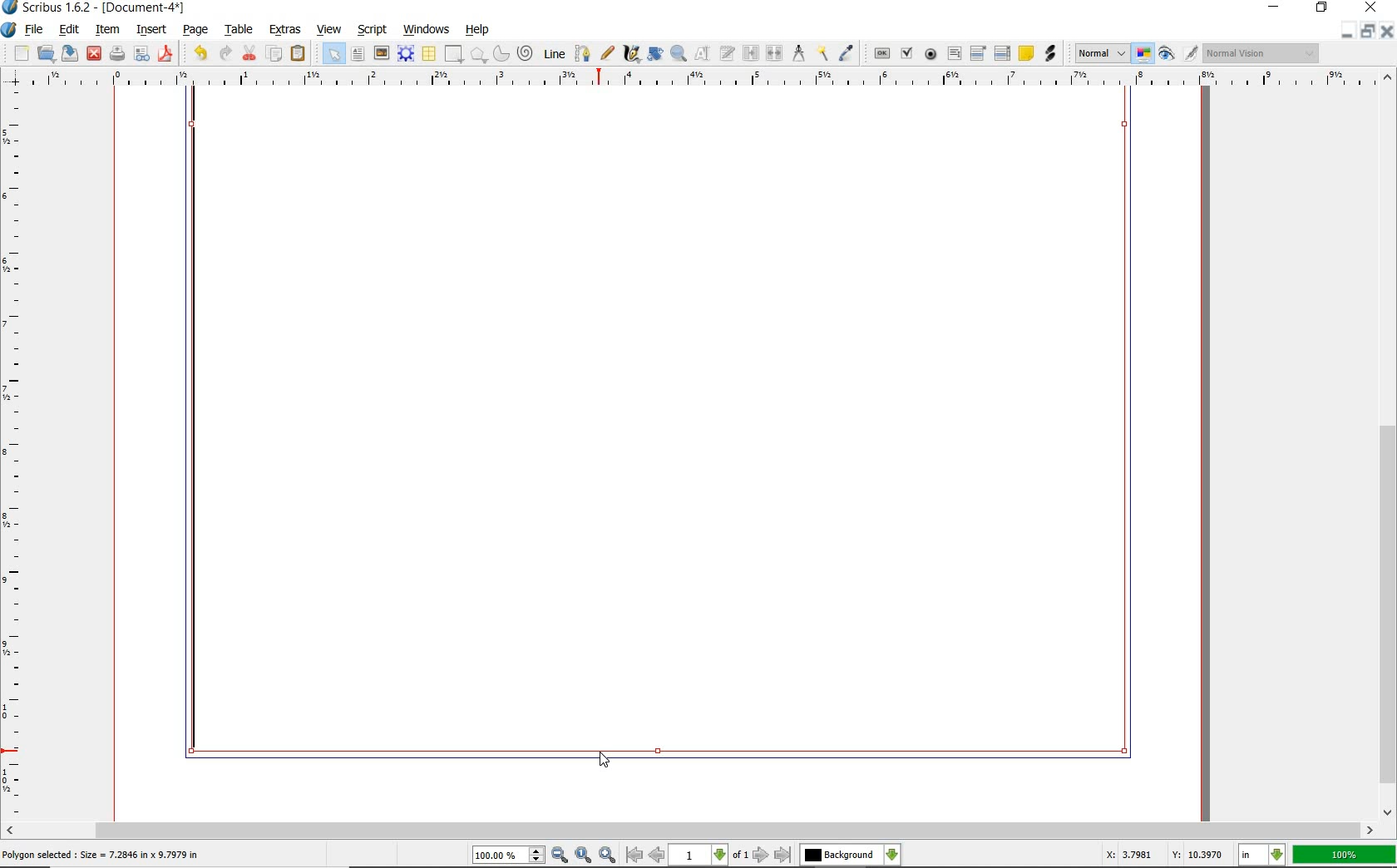 The image size is (1397, 868). Describe the element at coordinates (879, 52) in the screenshot. I see `pdf push button` at that location.